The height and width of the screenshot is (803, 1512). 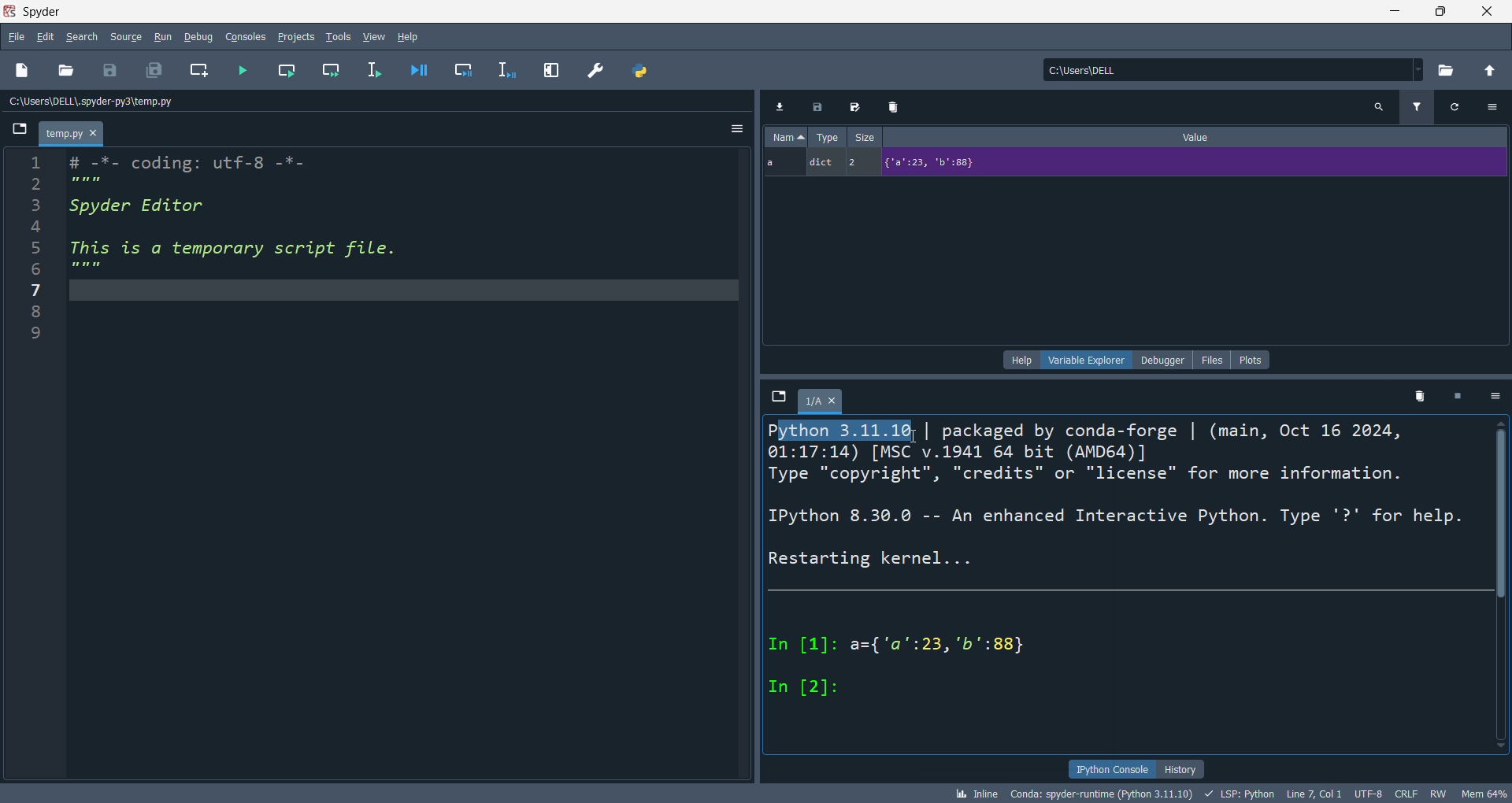 I want to click on save data, so click(x=820, y=105).